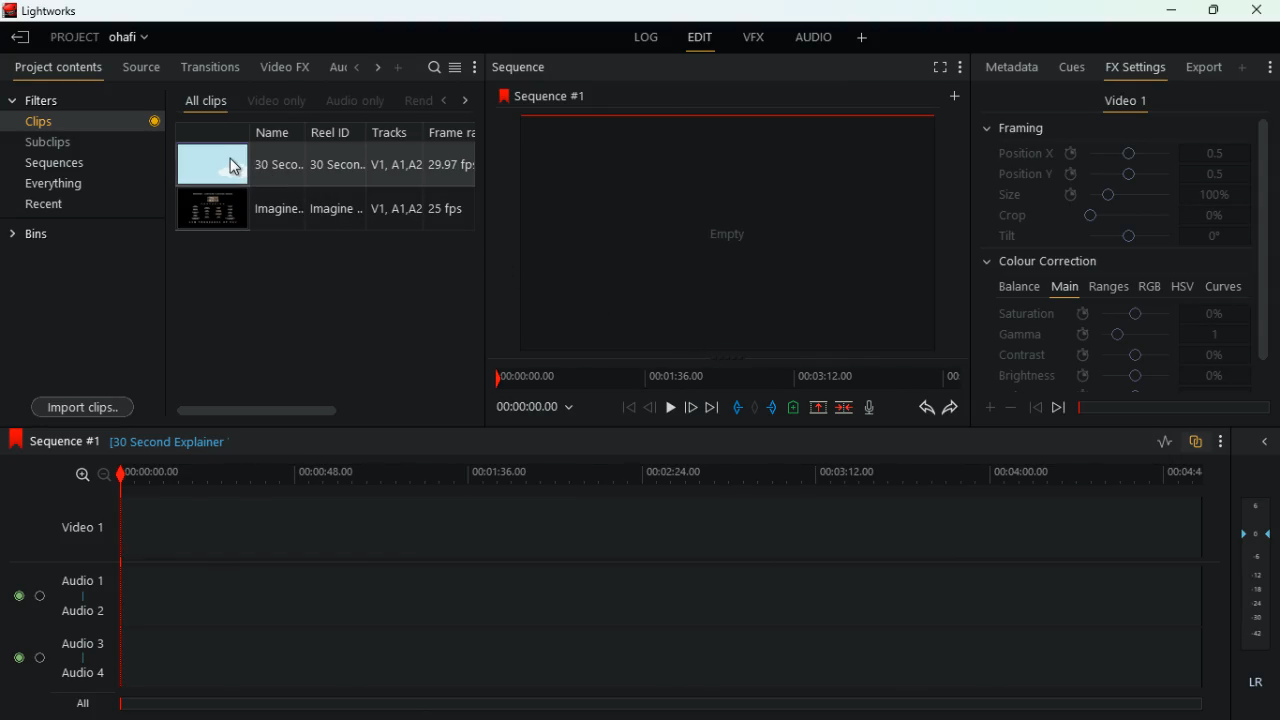 The width and height of the screenshot is (1280, 720). Describe the element at coordinates (699, 39) in the screenshot. I see `edit` at that location.